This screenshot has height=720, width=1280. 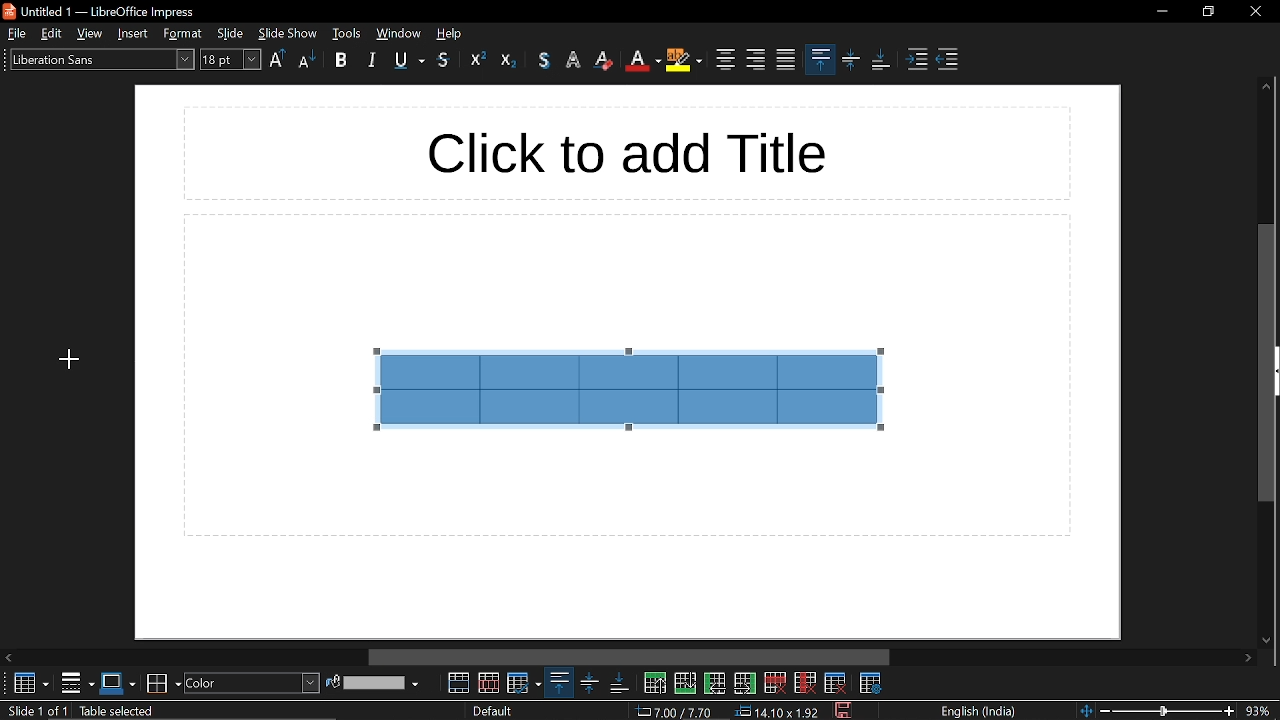 What do you see at coordinates (1263, 710) in the screenshot?
I see `current zoom` at bounding box center [1263, 710].